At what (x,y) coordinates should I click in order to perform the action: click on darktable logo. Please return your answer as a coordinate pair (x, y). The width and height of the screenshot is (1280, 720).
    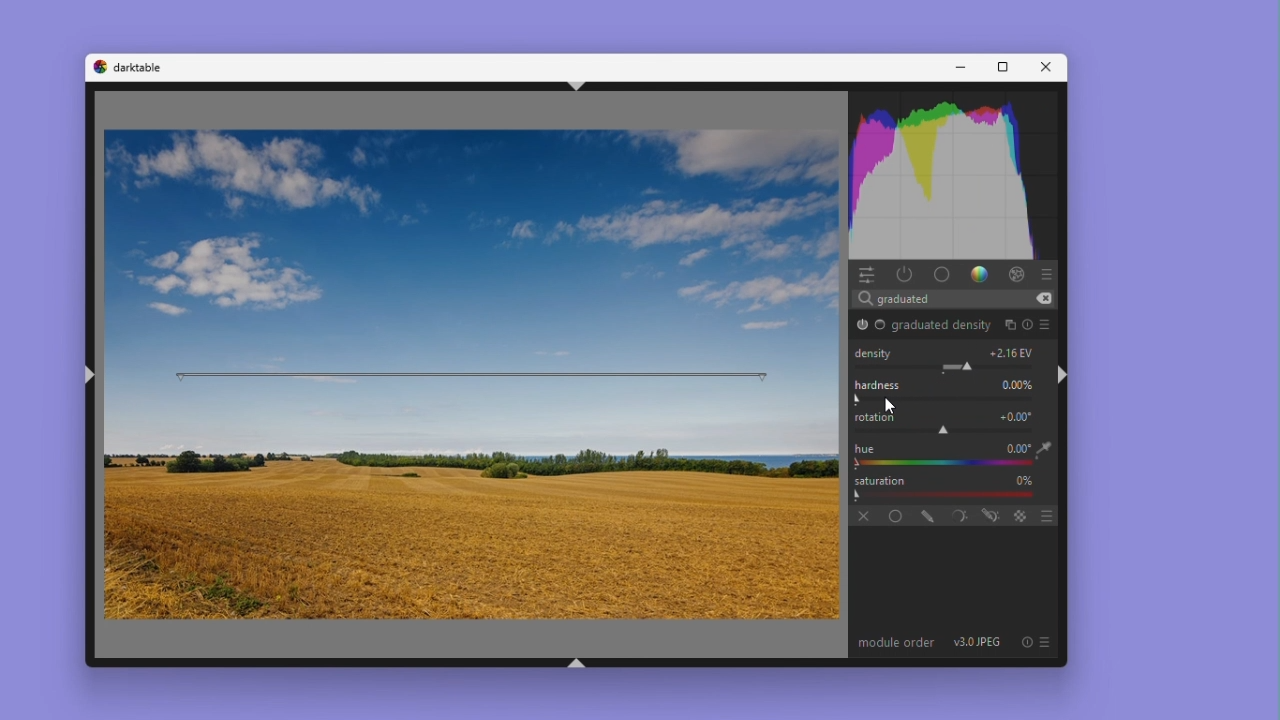
    Looking at the image, I should click on (98, 67).